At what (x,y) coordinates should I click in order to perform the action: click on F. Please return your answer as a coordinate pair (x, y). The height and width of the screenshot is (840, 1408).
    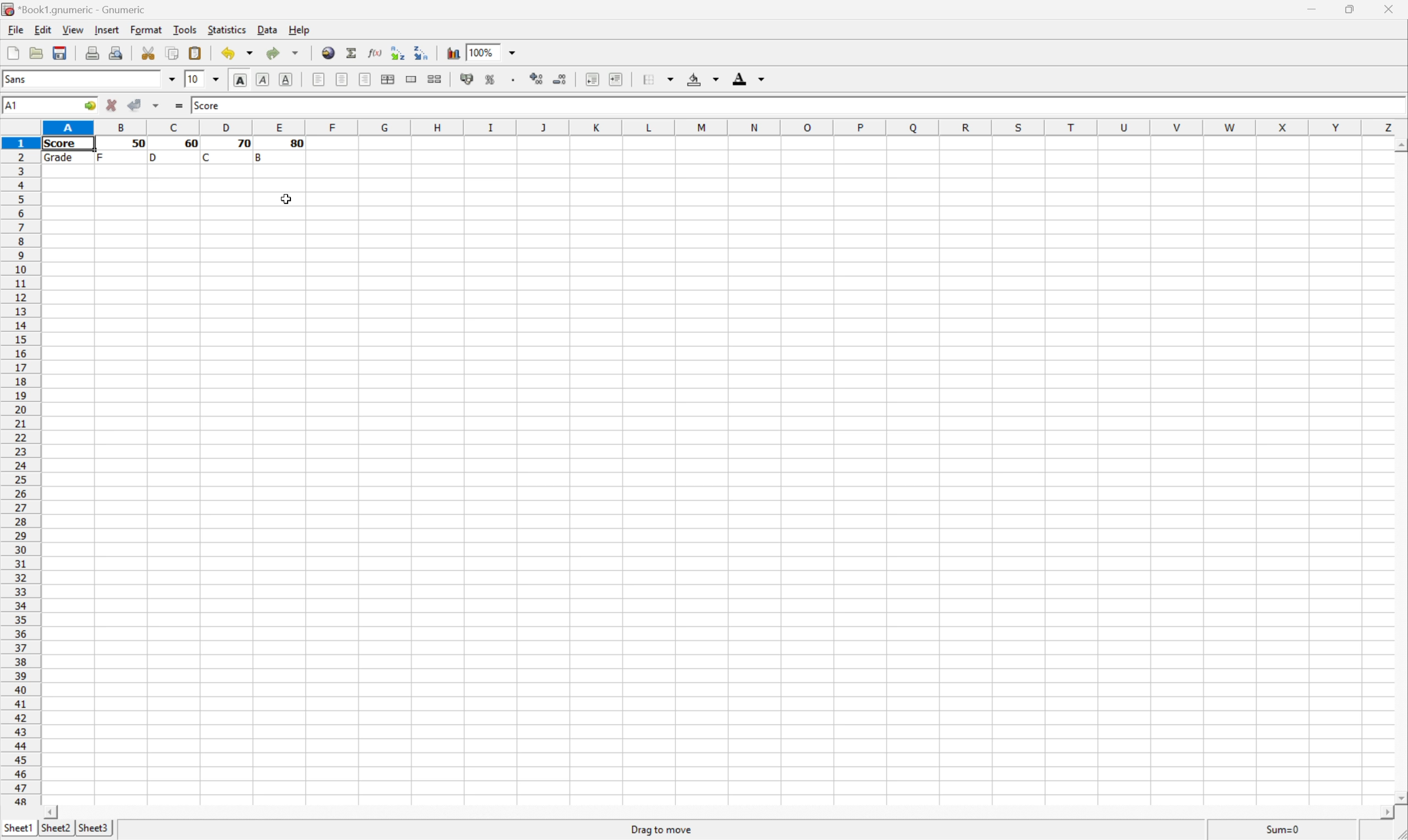
    Looking at the image, I should click on (101, 156).